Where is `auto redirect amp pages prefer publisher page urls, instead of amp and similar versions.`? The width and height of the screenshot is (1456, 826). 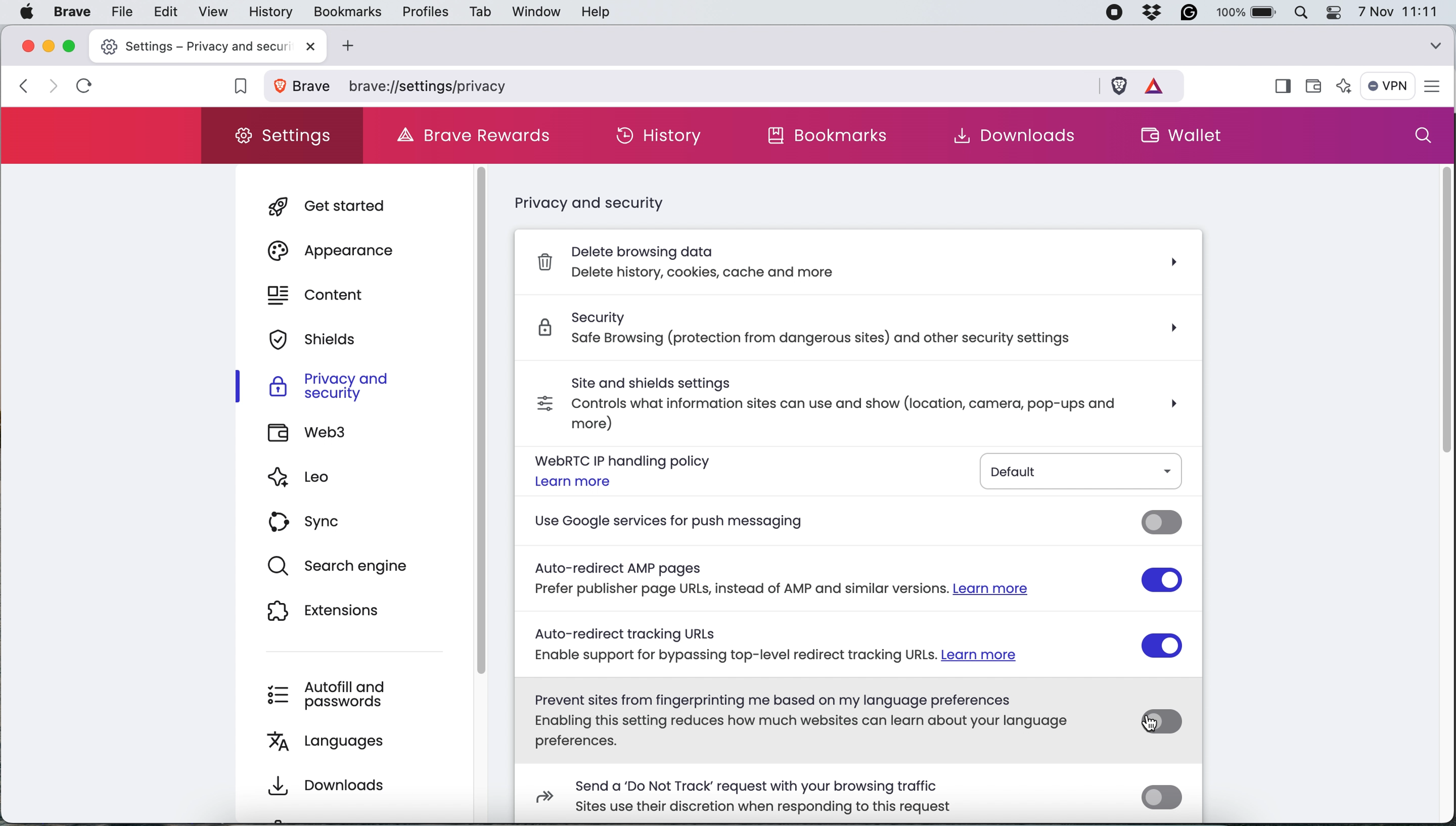 auto redirect amp pages prefer publisher page urls, instead of amp and similar versions. is located at coordinates (825, 579).